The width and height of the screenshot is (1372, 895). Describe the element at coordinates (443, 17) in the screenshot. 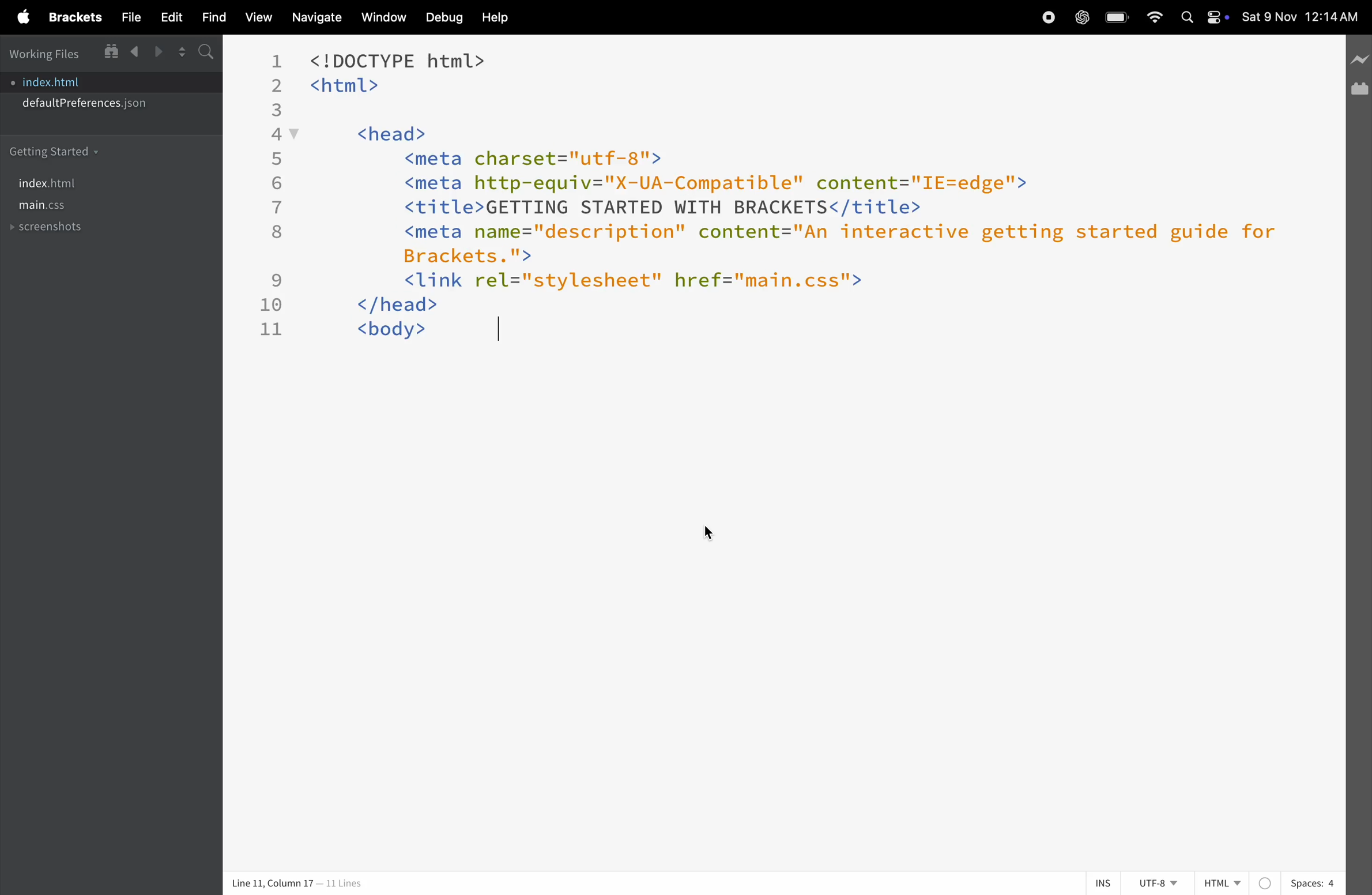

I see `debug` at that location.